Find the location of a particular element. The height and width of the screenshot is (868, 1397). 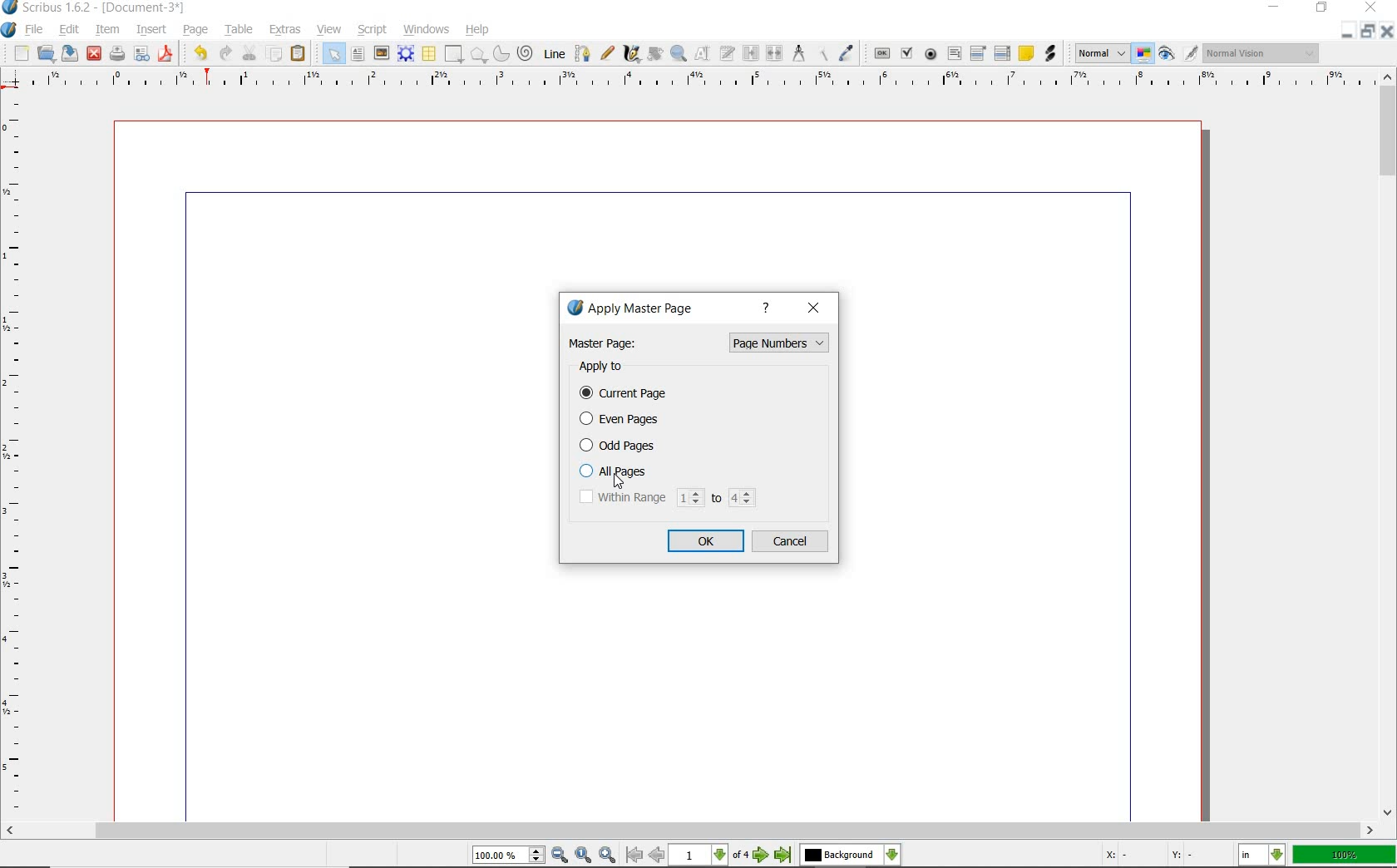

arc is located at coordinates (500, 53).